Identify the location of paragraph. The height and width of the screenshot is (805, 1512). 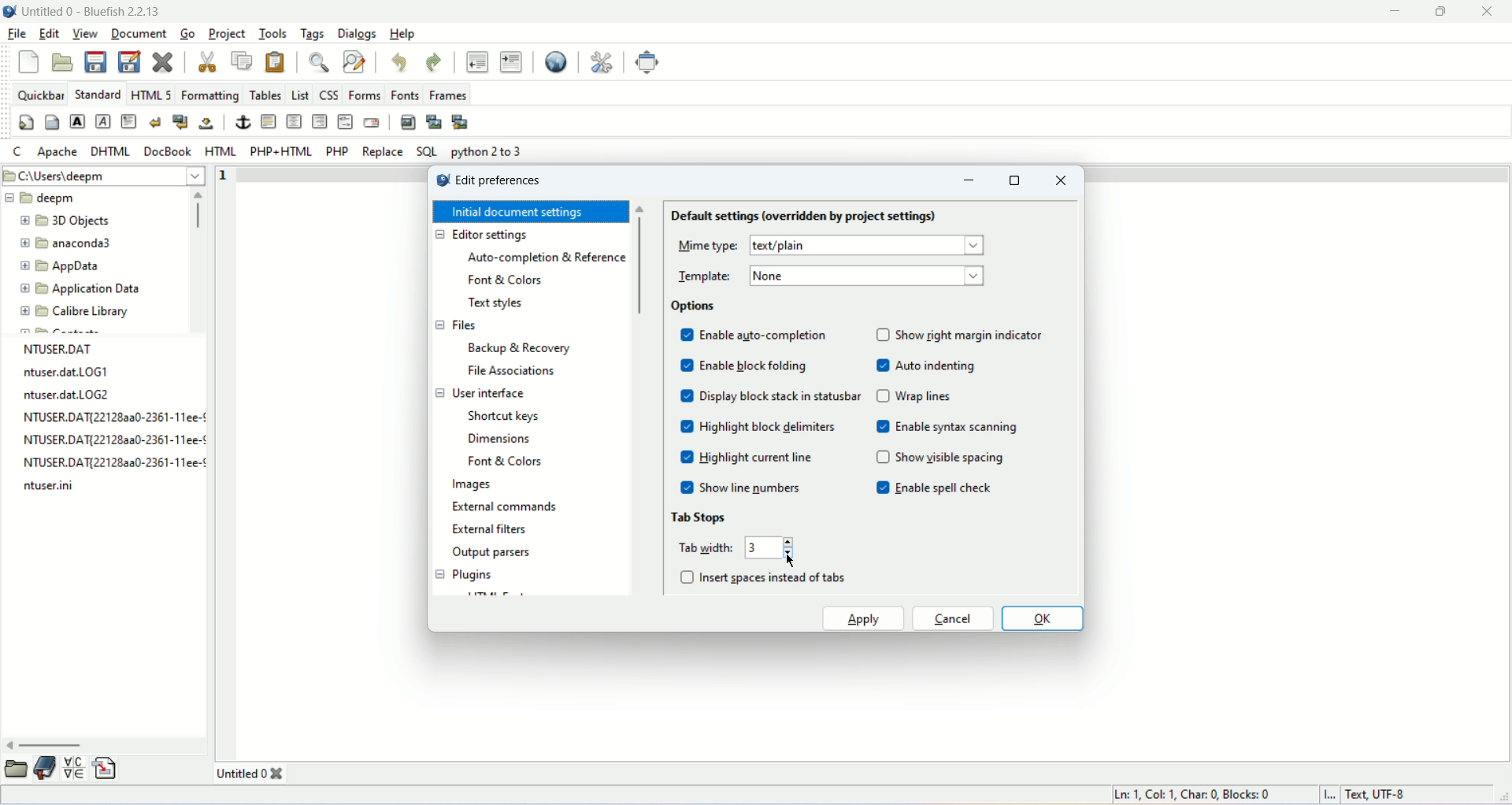
(127, 122).